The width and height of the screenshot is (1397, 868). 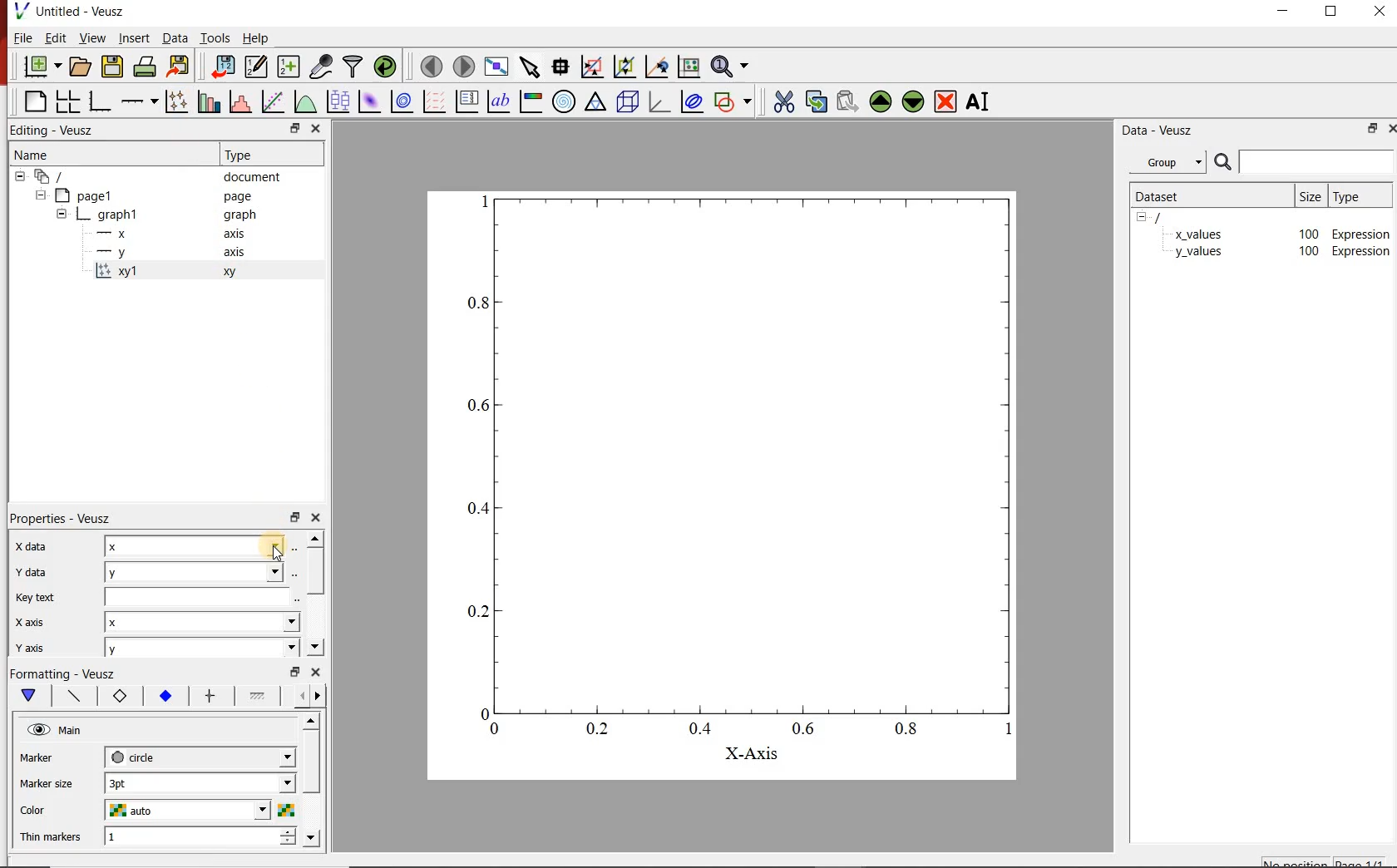 I want to click on plot covariance ellipse, so click(x=690, y=101).